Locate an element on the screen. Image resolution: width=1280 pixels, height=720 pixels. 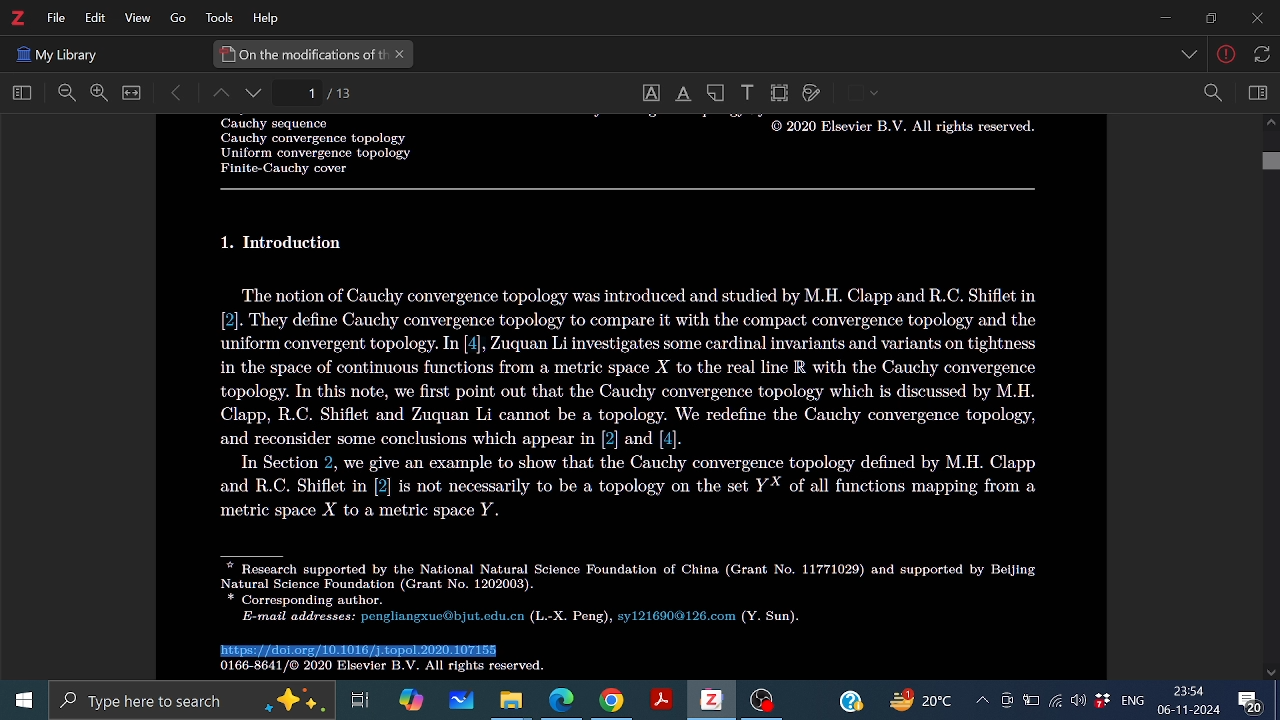
OBS studio is located at coordinates (762, 702).